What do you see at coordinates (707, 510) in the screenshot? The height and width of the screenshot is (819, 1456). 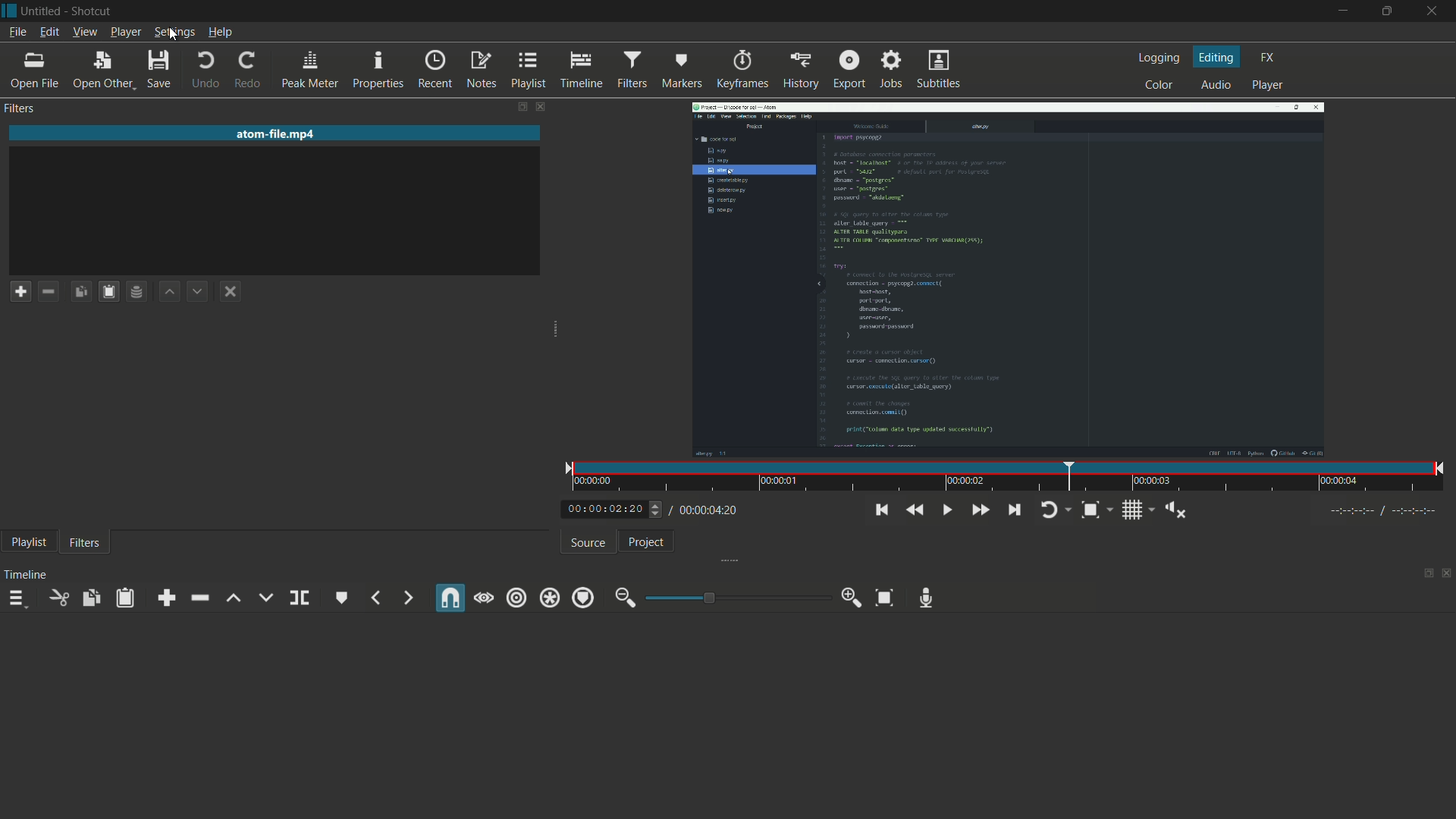 I see `total time` at bounding box center [707, 510].